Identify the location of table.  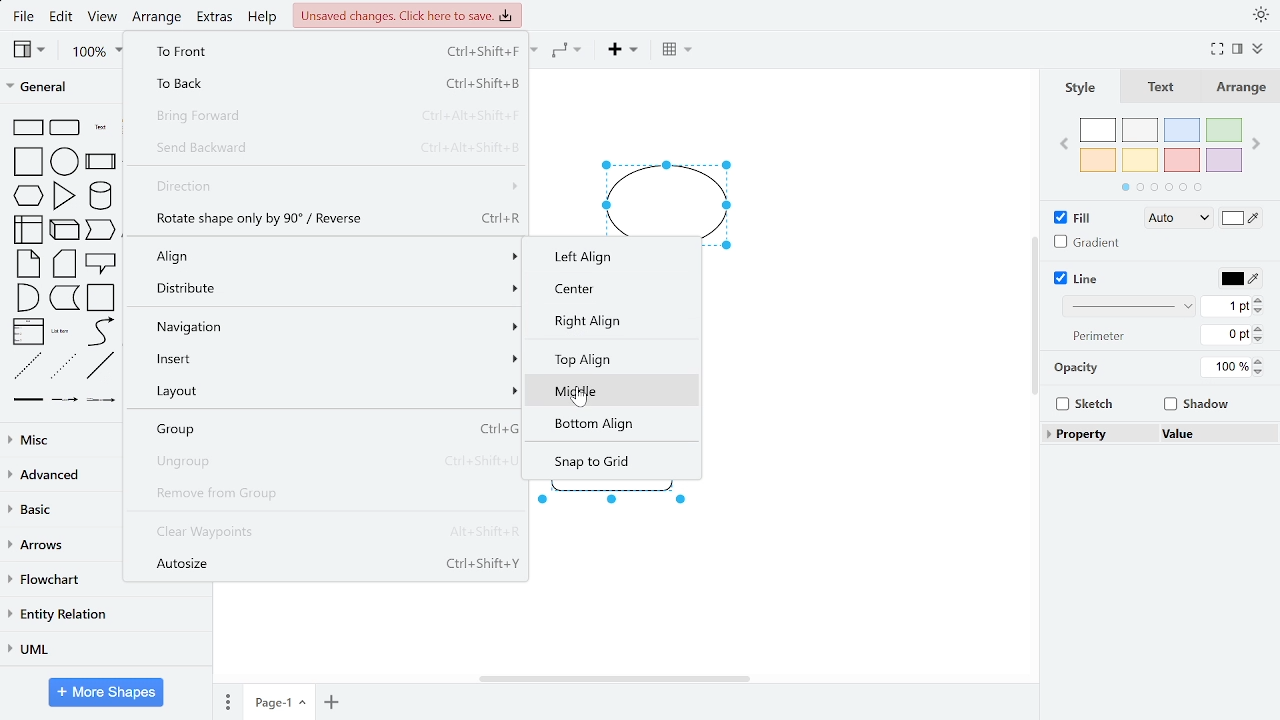
(674, 51).